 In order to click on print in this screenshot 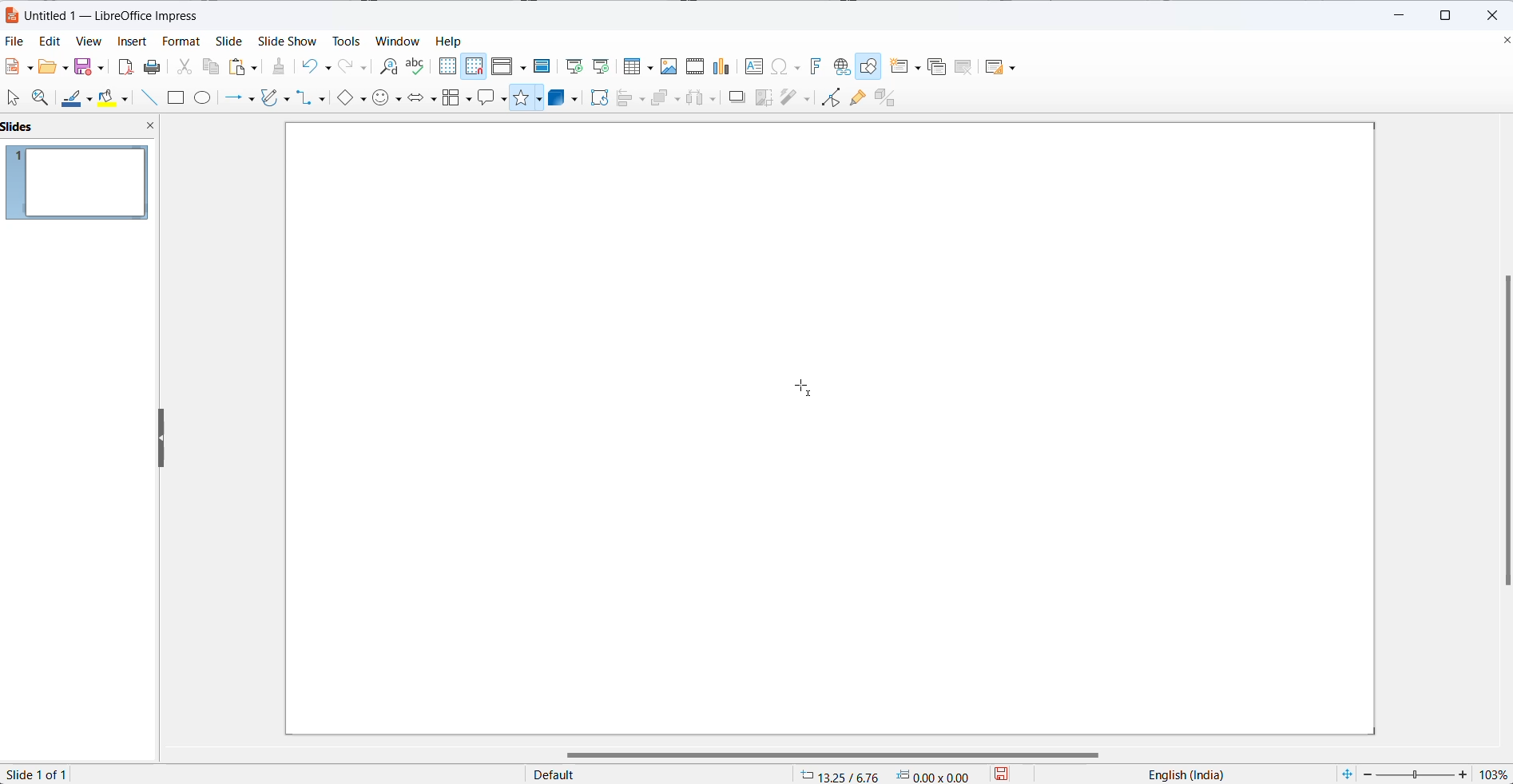, I will do `click(155, 66)`.